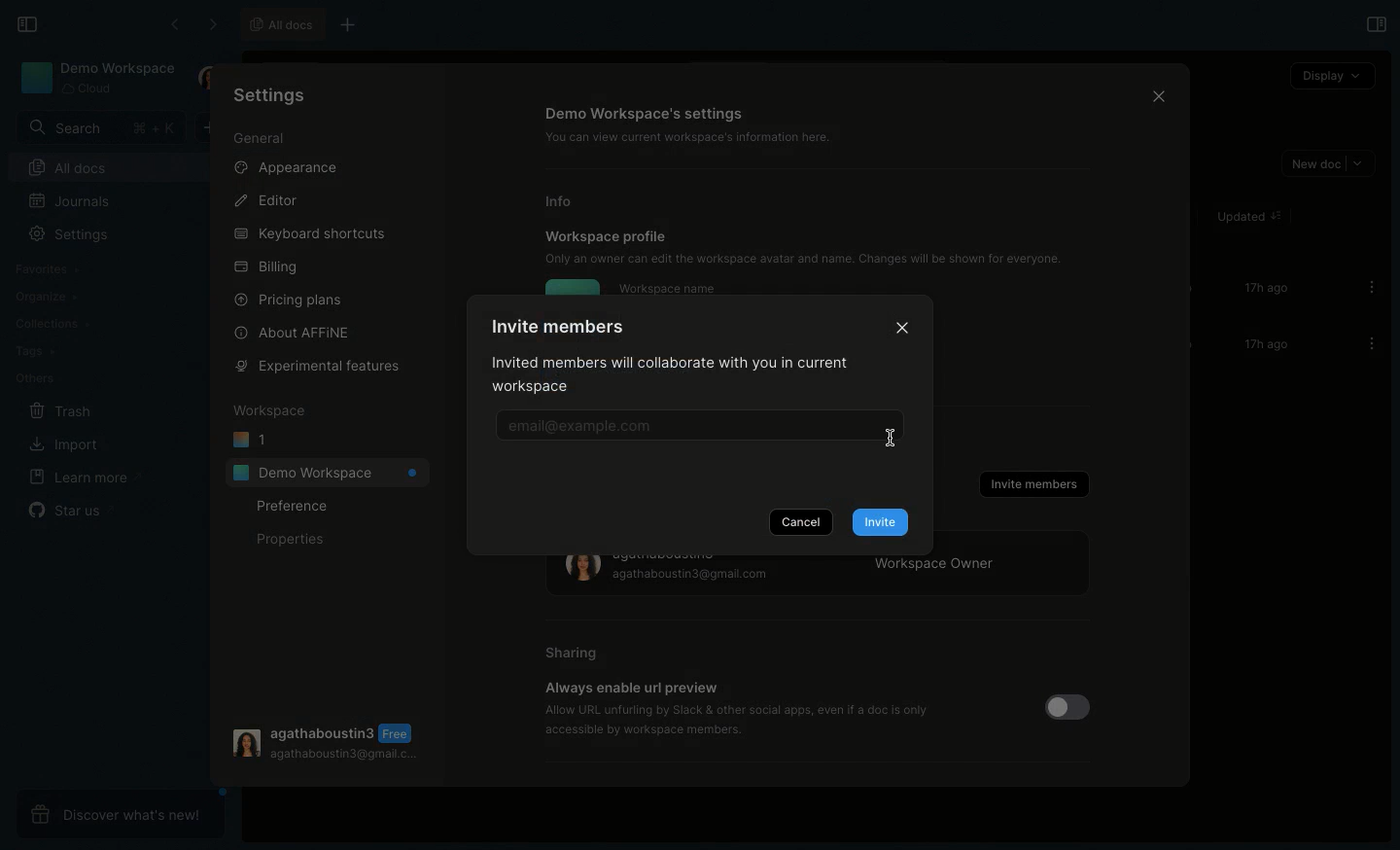 This screenshot has width=1400, height=850. I want to click on Star us, so click(72, 510).